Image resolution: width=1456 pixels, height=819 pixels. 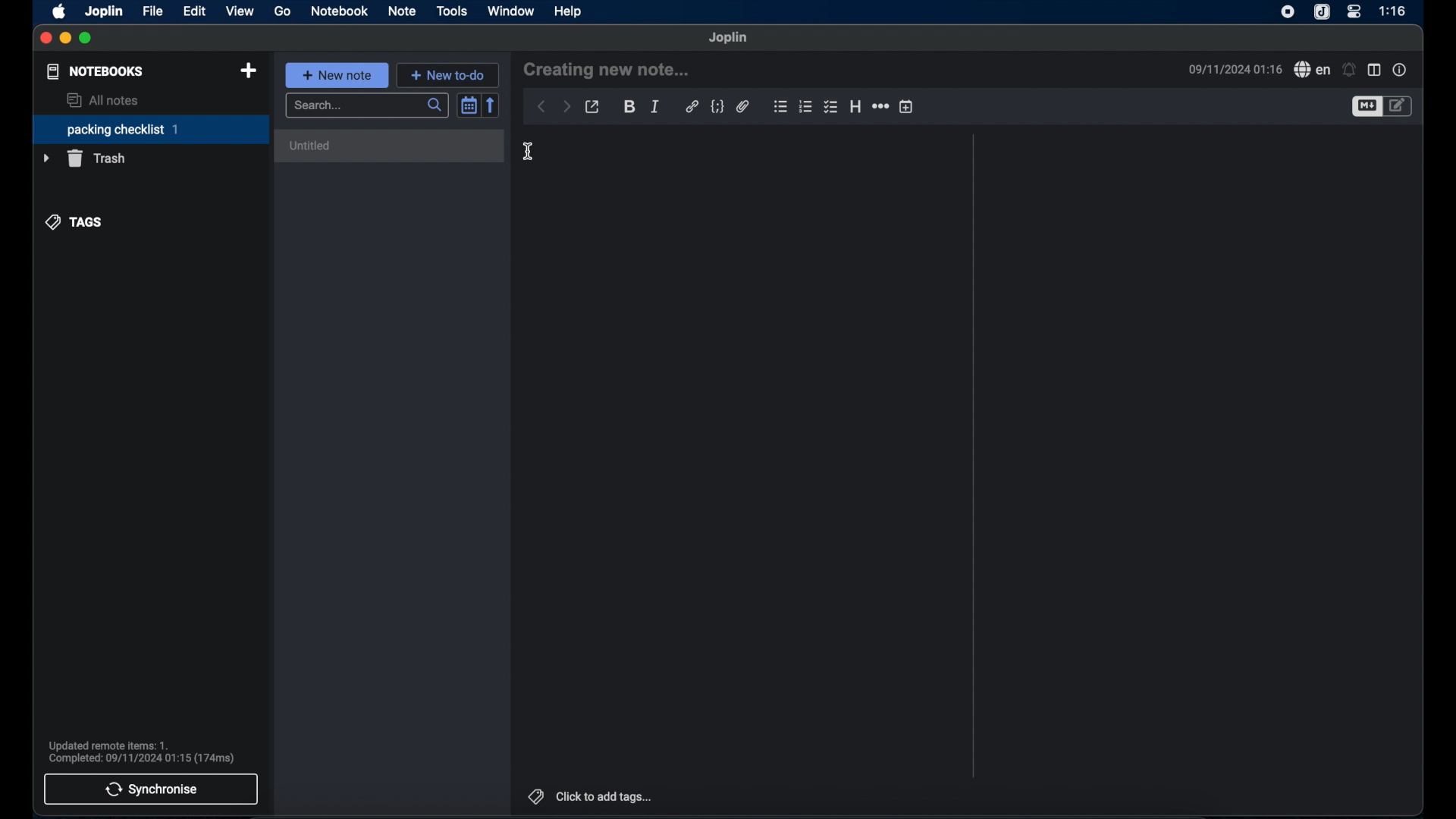 I want to click on creating new note..., so click(x=611, y=71).